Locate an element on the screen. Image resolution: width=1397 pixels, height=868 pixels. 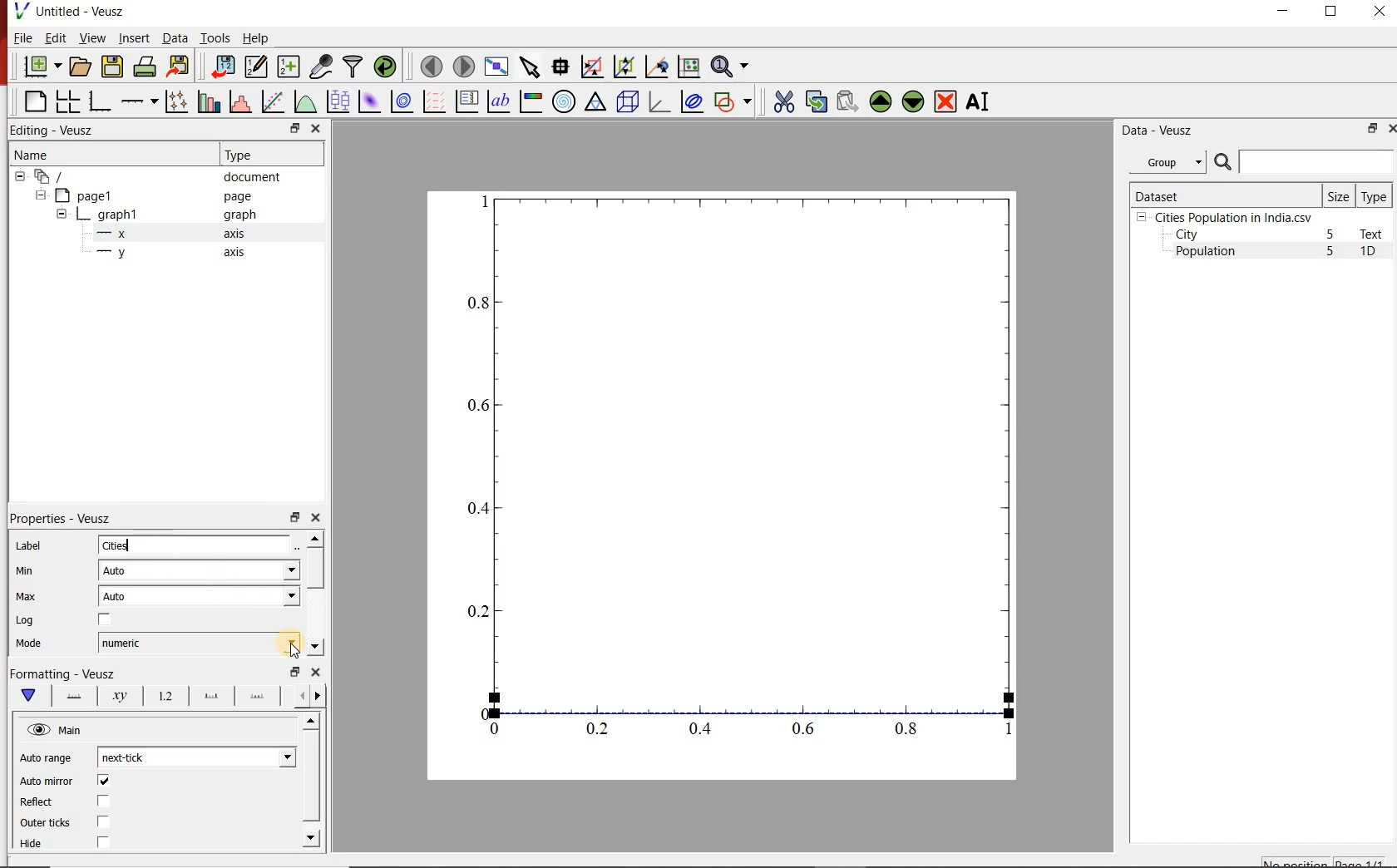
plot points with lines and errorbars is located at coordinates (174, 101).